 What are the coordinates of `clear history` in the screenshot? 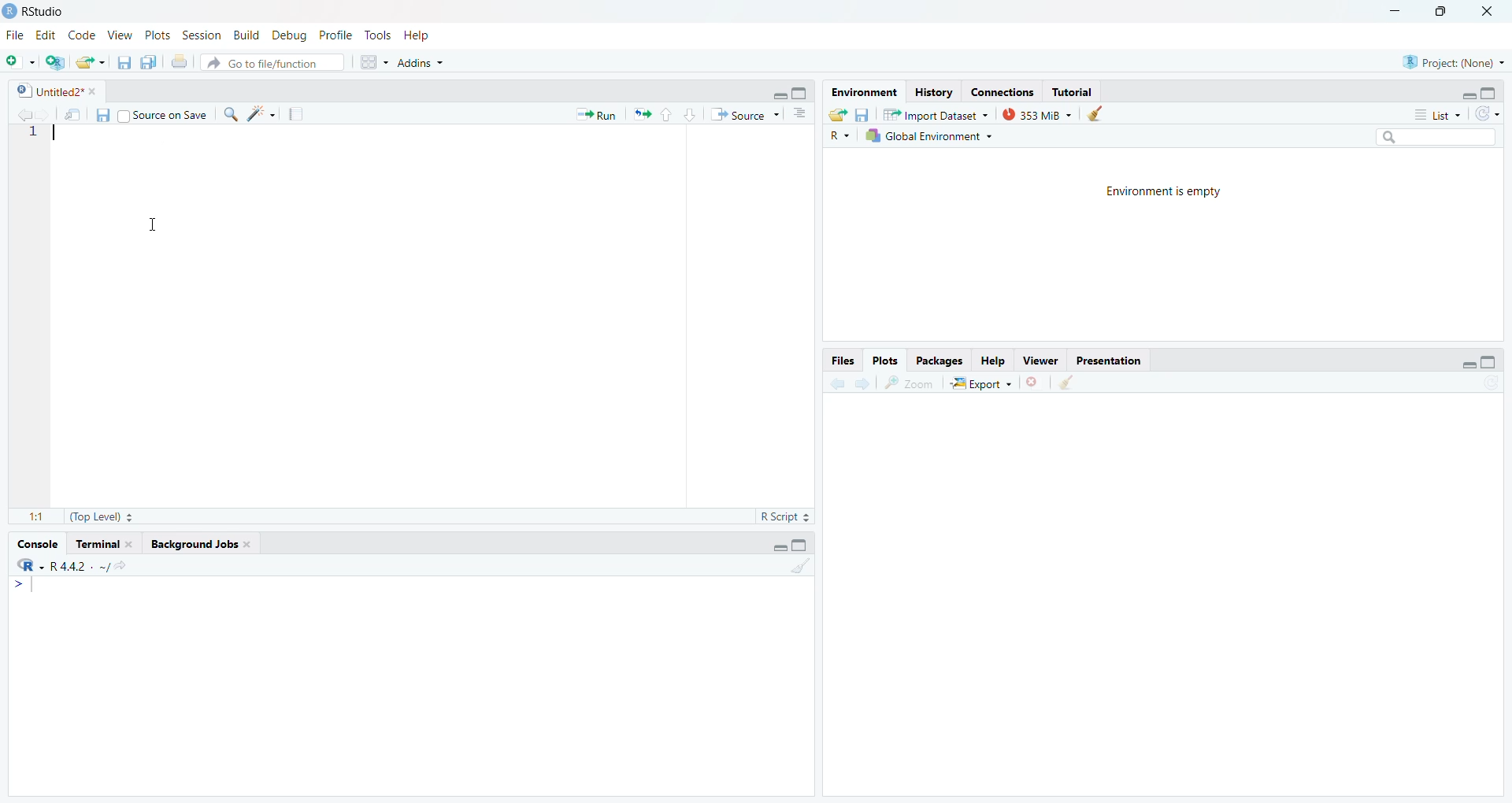 It's located at (1102, 114).